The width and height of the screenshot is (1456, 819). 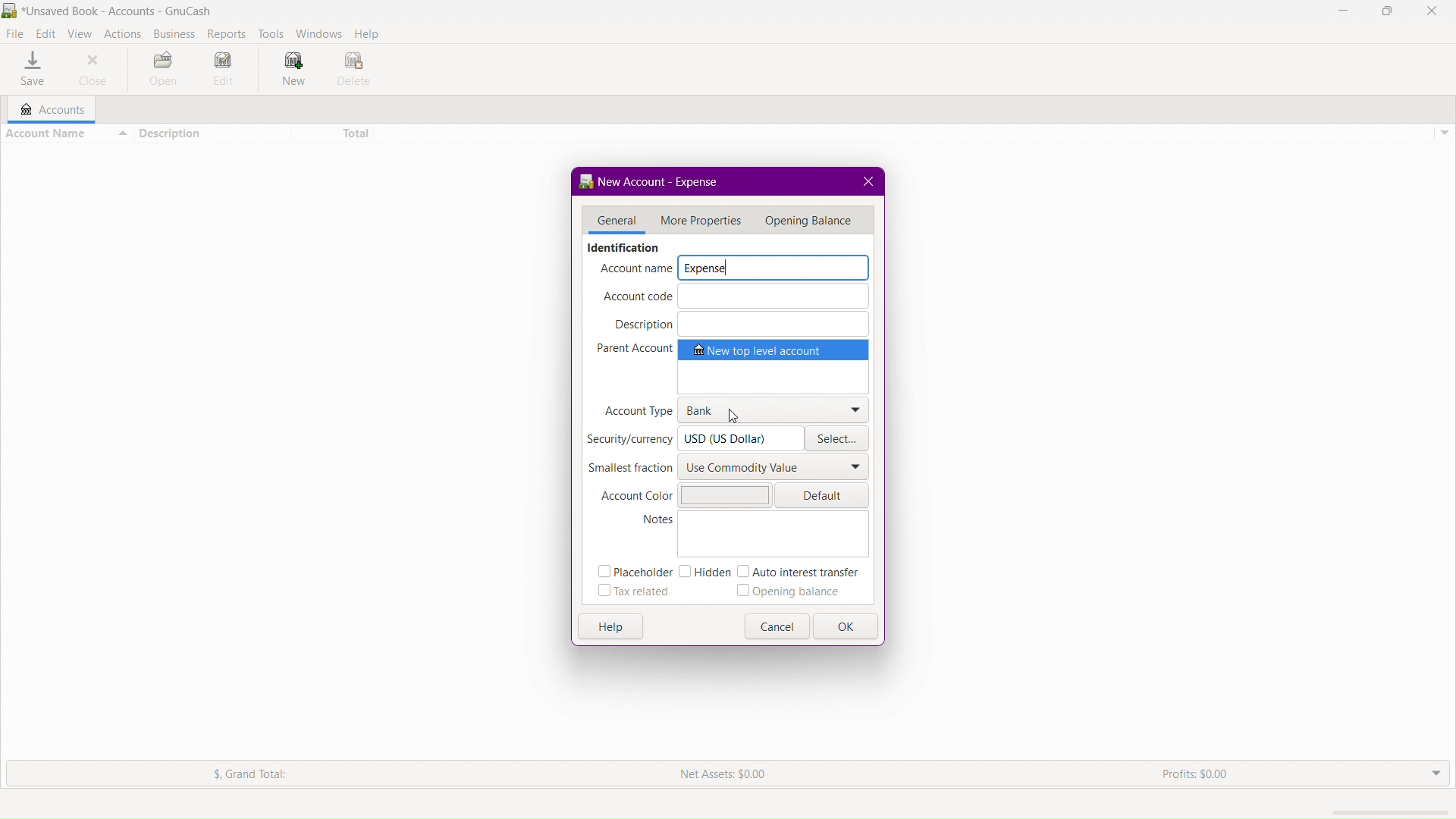 What do you see at coordinates (753, 535) in the screenshot?
I see `Notes` at bounding box center [753, 535].